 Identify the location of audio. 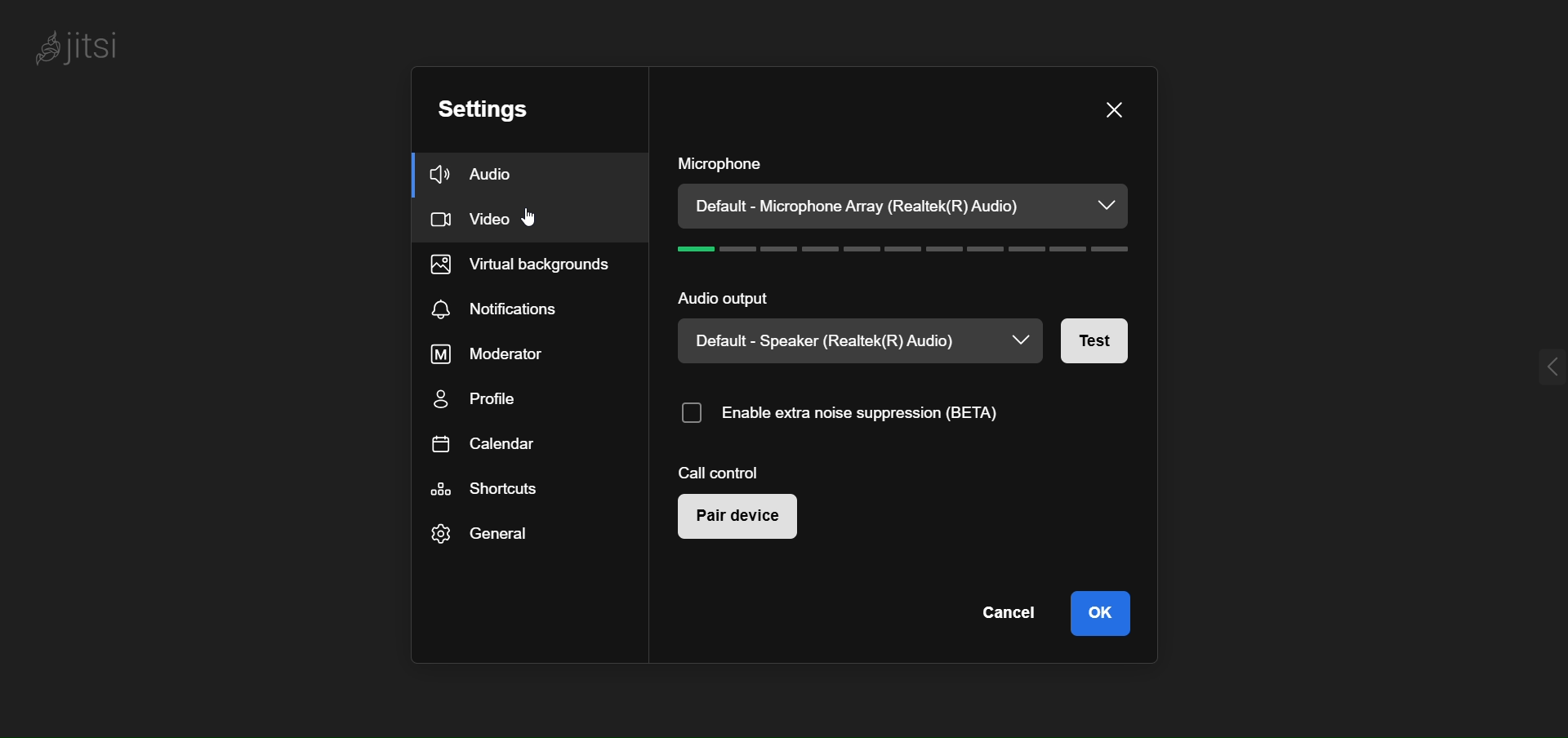
(482, 172).